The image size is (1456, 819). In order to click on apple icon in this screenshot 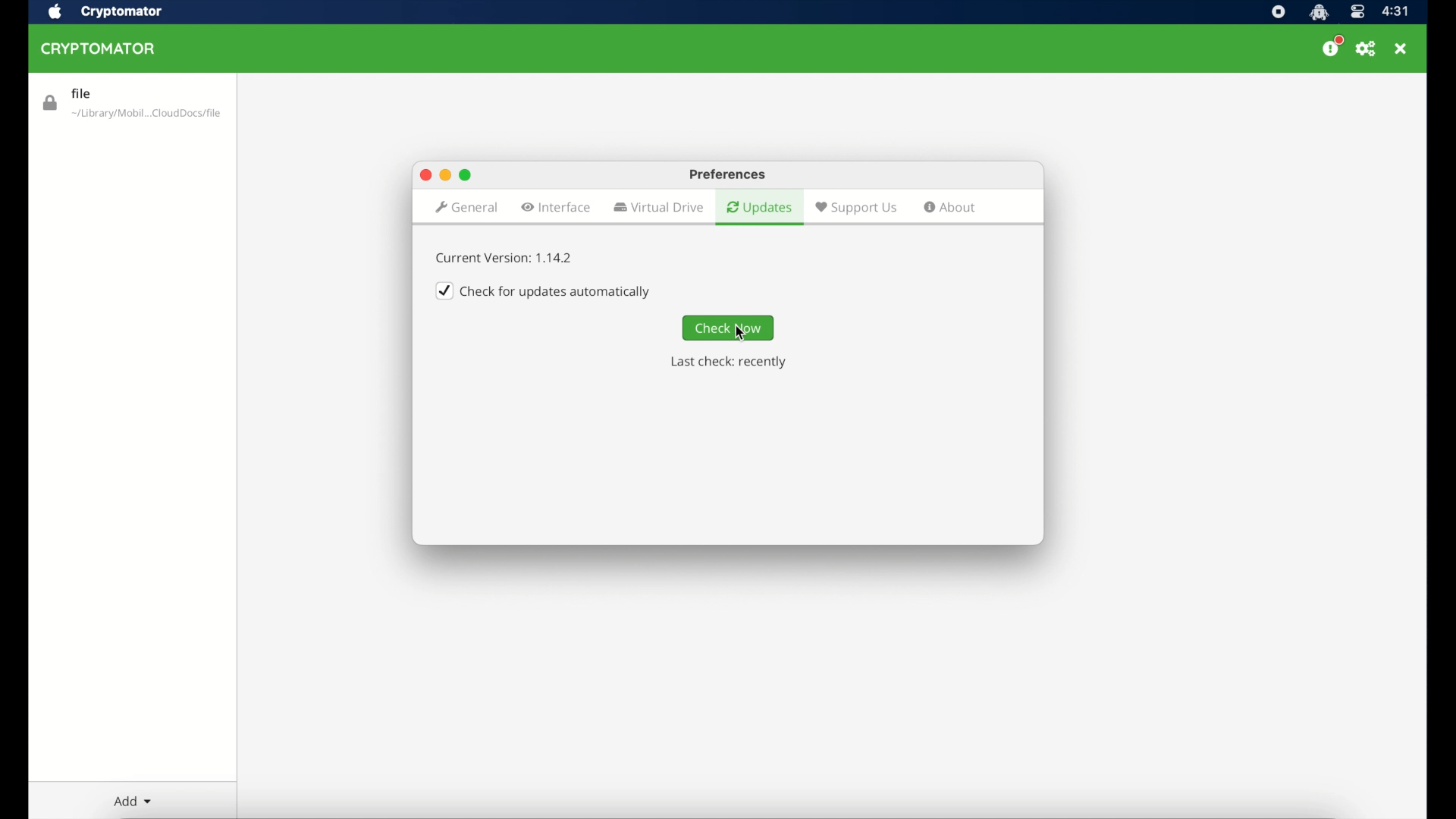, I will do `click(56, 12)`.